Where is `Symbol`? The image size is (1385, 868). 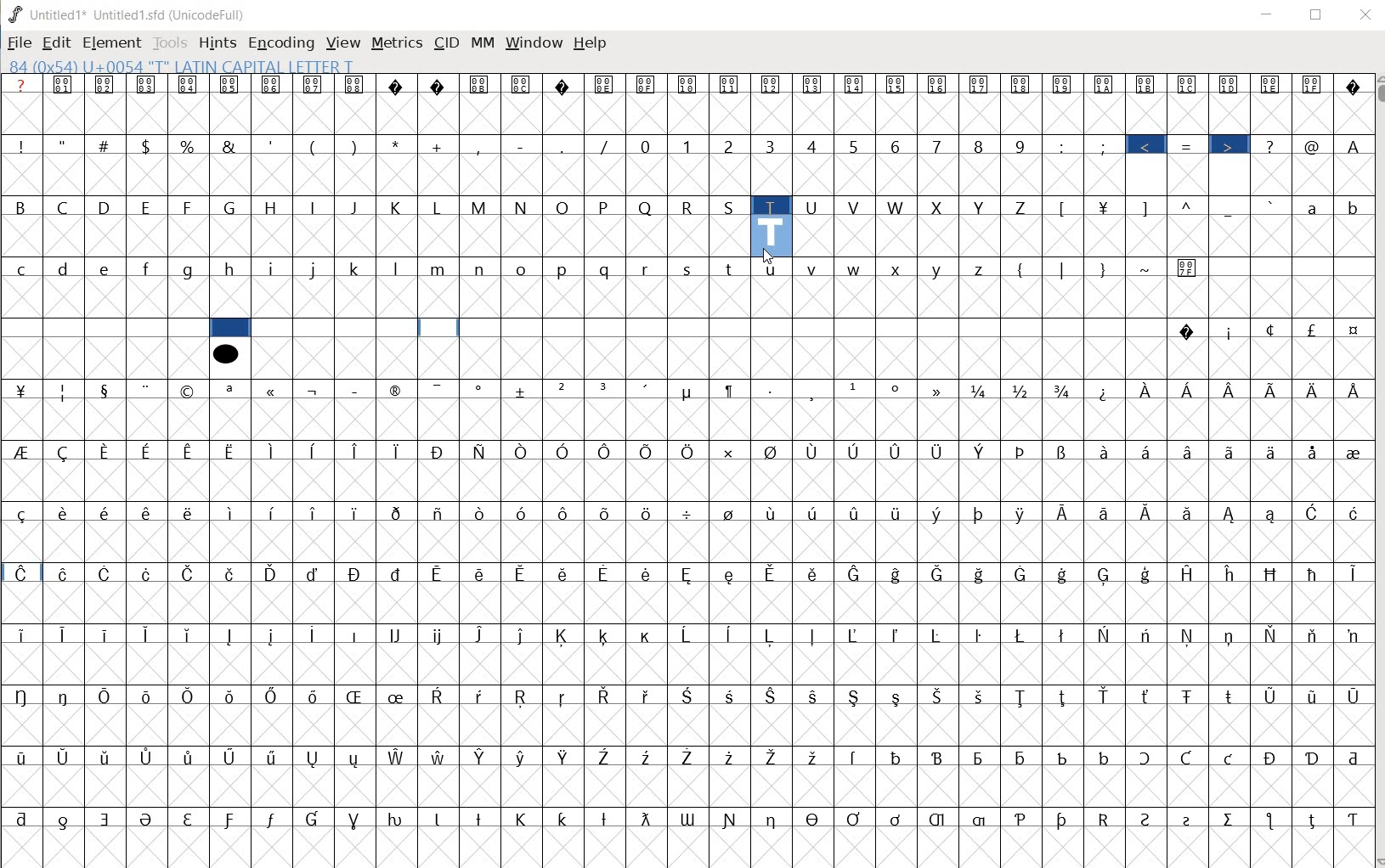
Symbol is located at coordinates (1190, 635).